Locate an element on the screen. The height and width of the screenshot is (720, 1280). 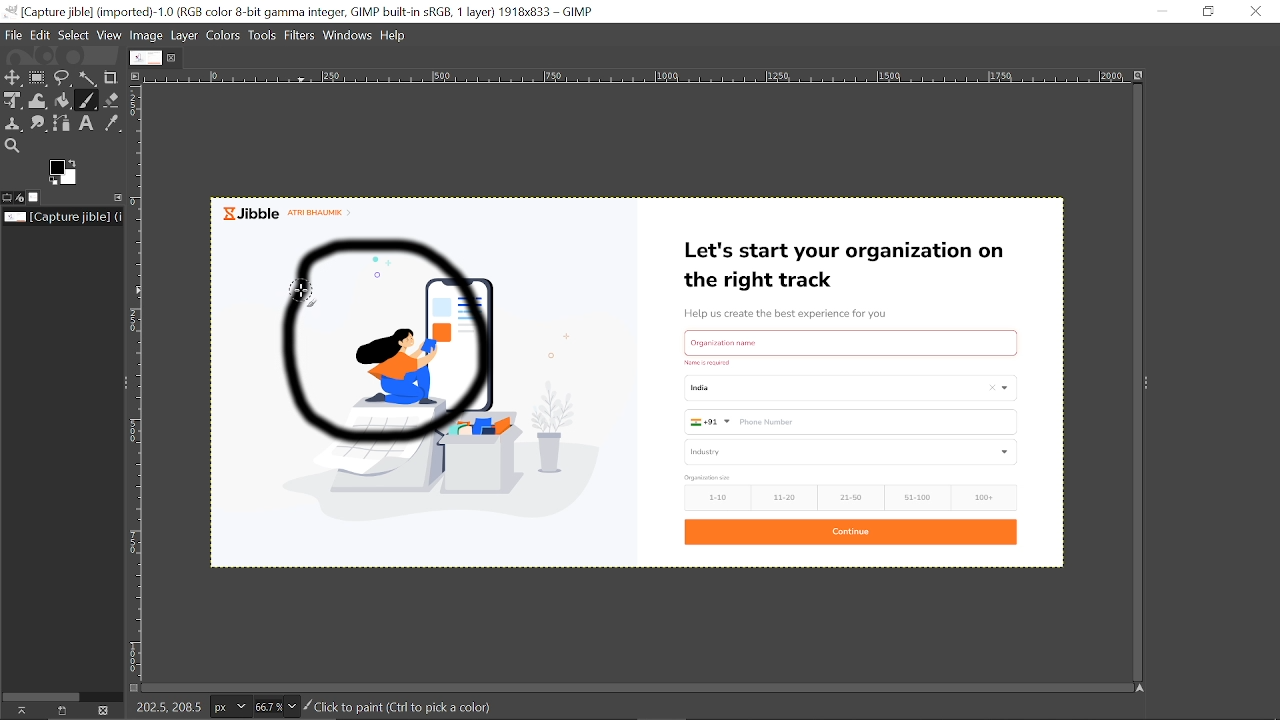
This this image is located at coordinates (103, 711).